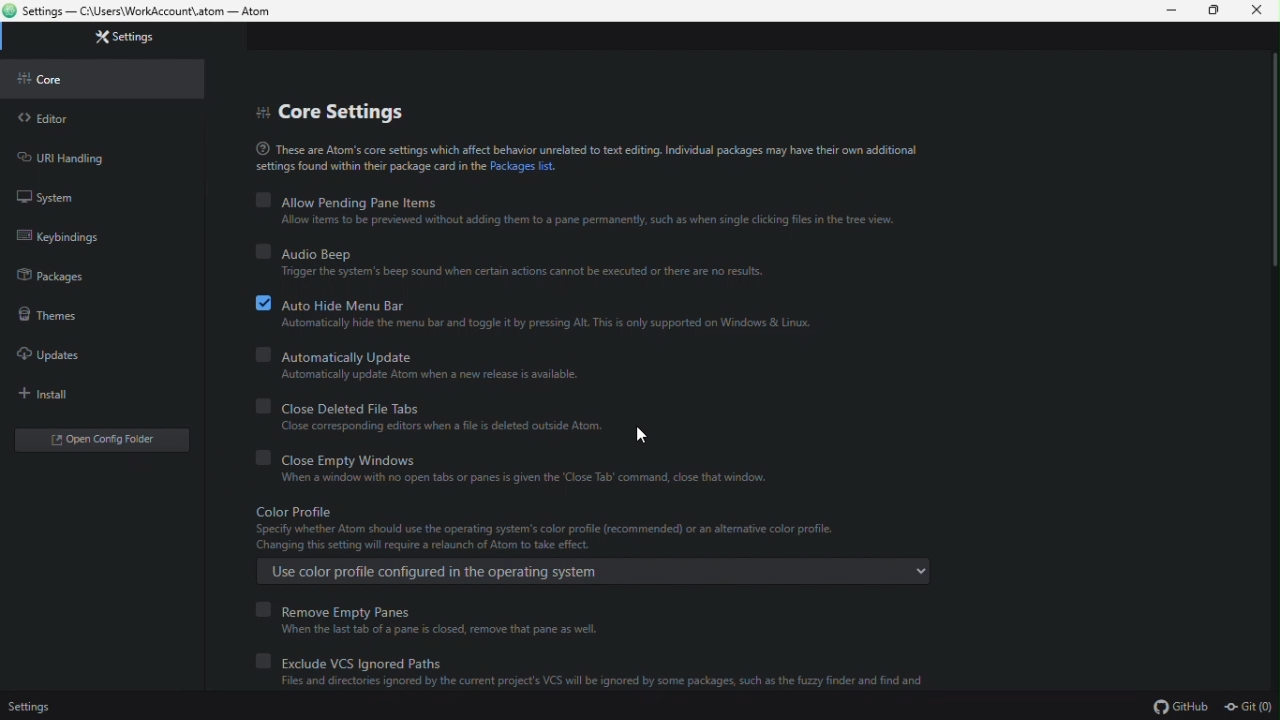 This screenshot has height=720, width=1280. What do you see at coordinates (91, 155) in the screenshot?
I see `URL handling` at bounding box center [91, 155].